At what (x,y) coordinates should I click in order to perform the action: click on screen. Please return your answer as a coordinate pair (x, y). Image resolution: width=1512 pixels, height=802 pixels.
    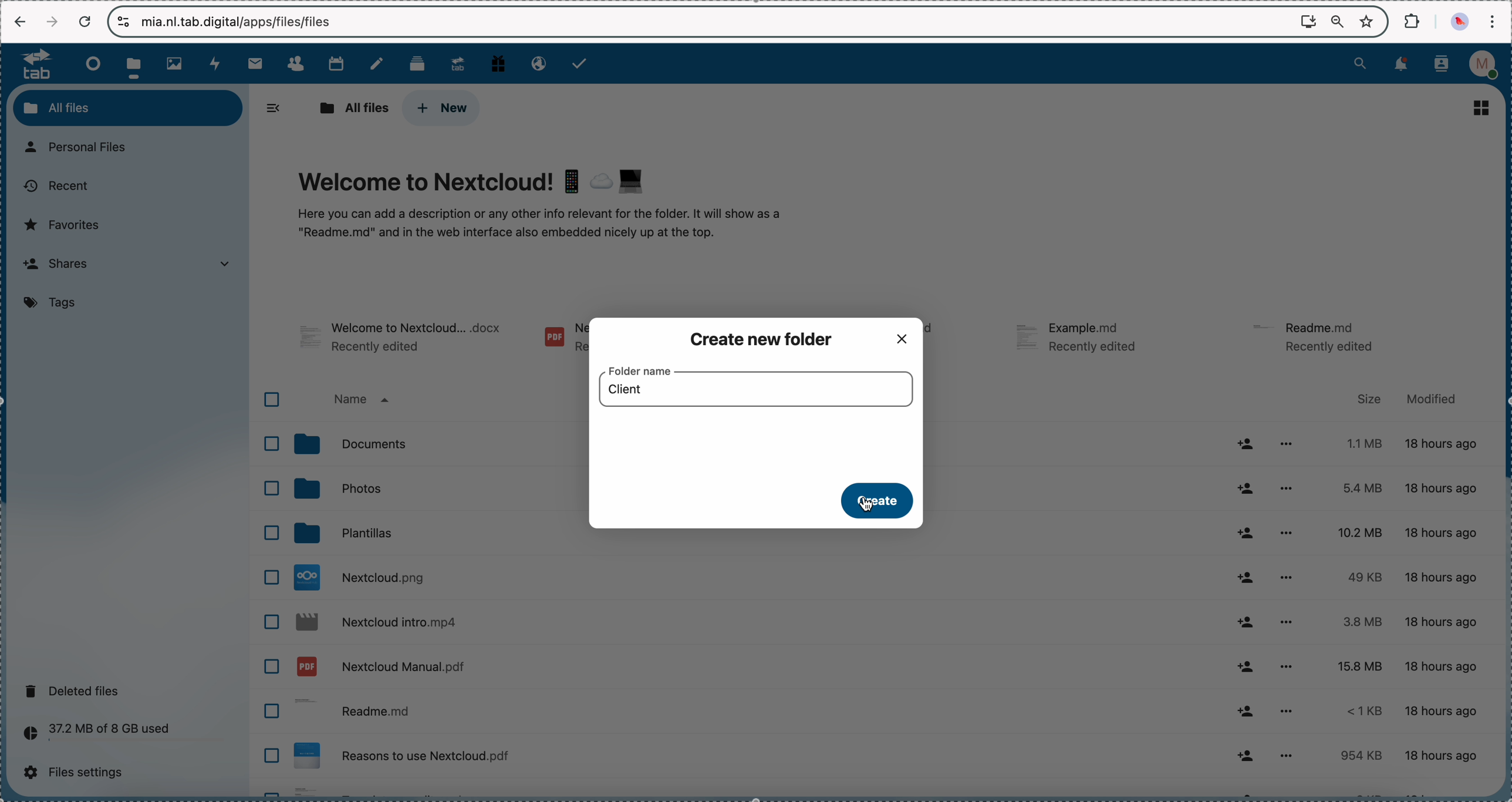
    Looking at the image, I should click on (1308, 21).